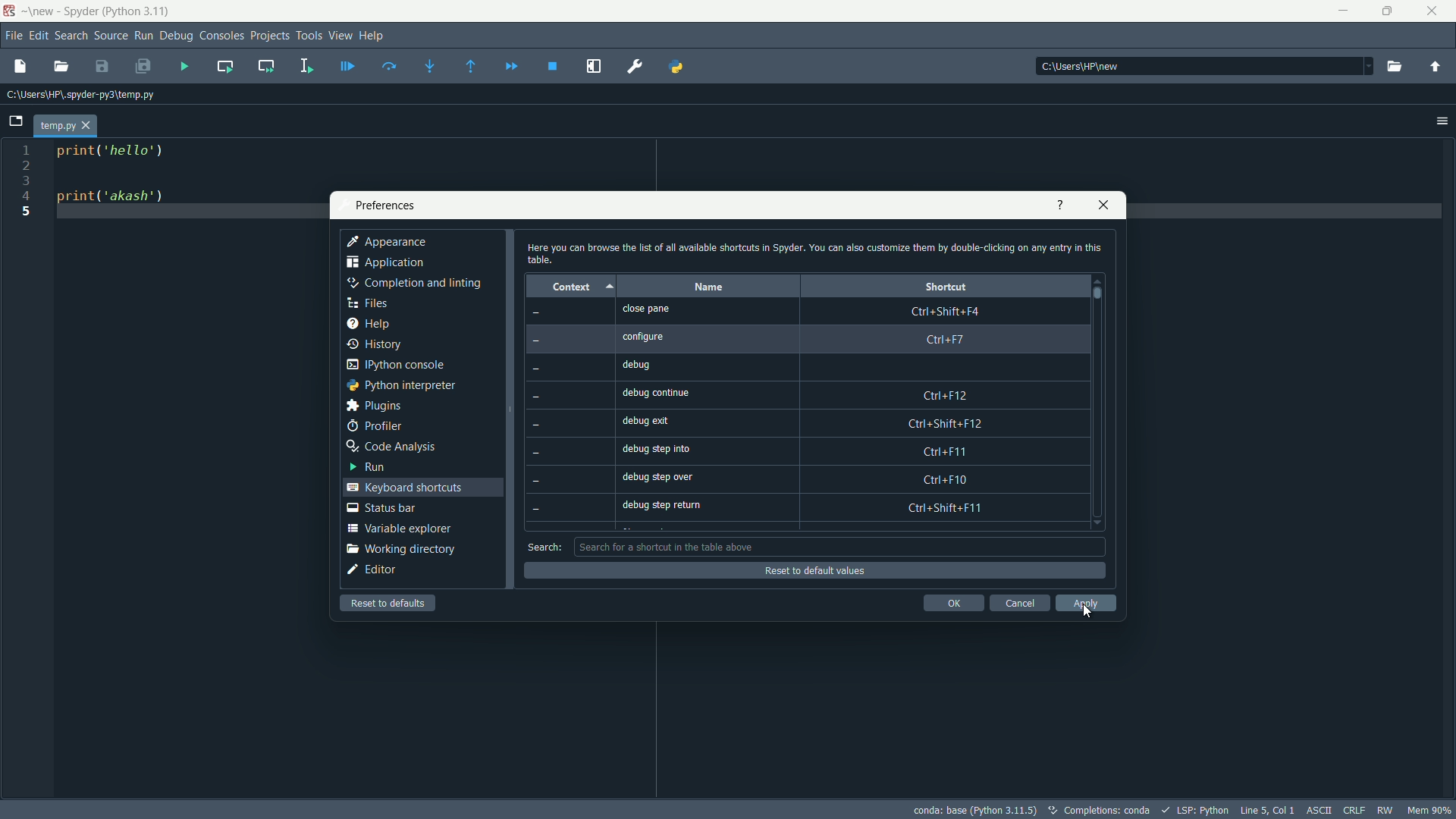 This screenshot has height=819, width=1456. What do you see at coordinates (111, 36) in the screenshot?
I see `source menu` at bounding box center [111, 36].